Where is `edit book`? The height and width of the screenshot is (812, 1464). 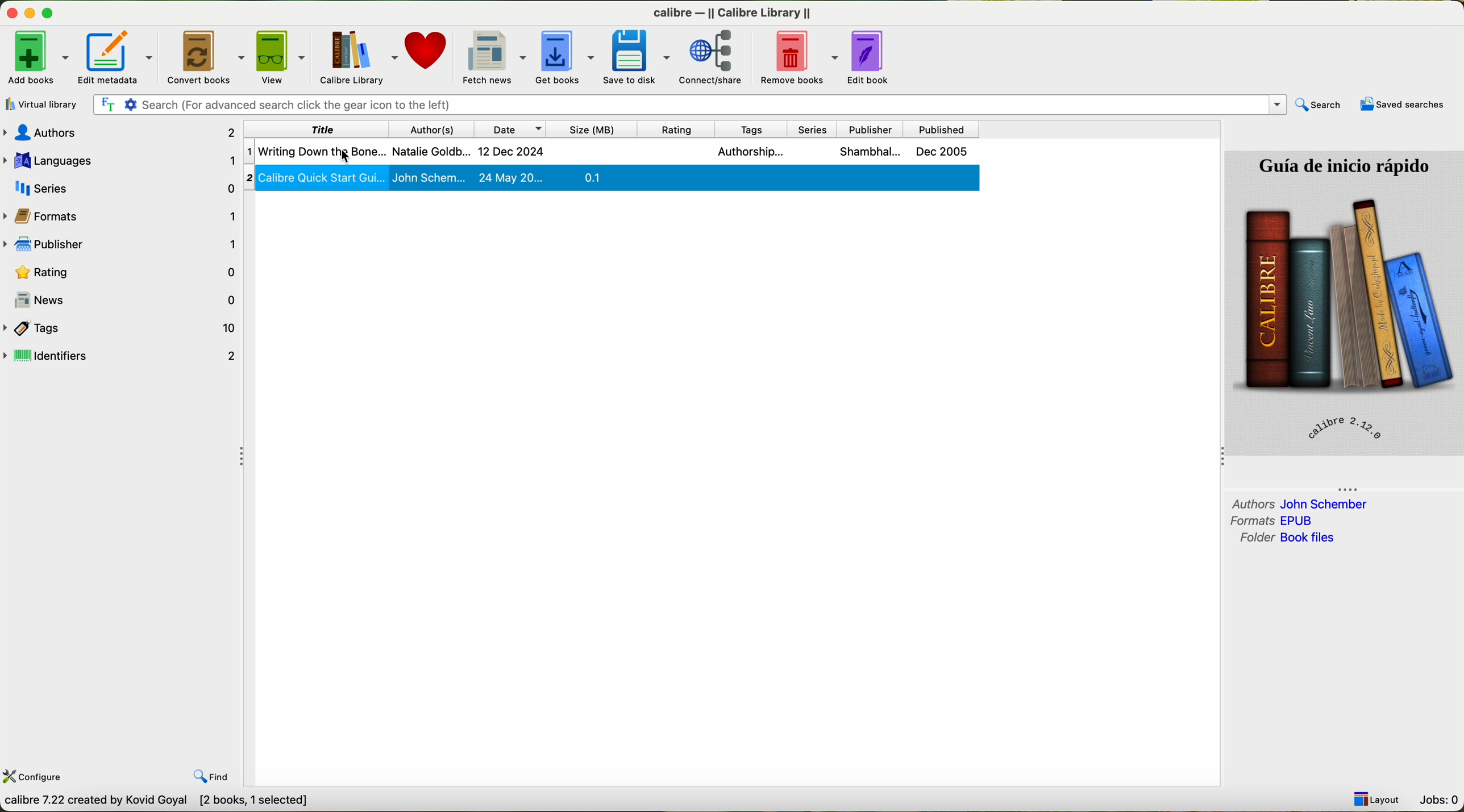 edit book is located at coordinates (873, 57).